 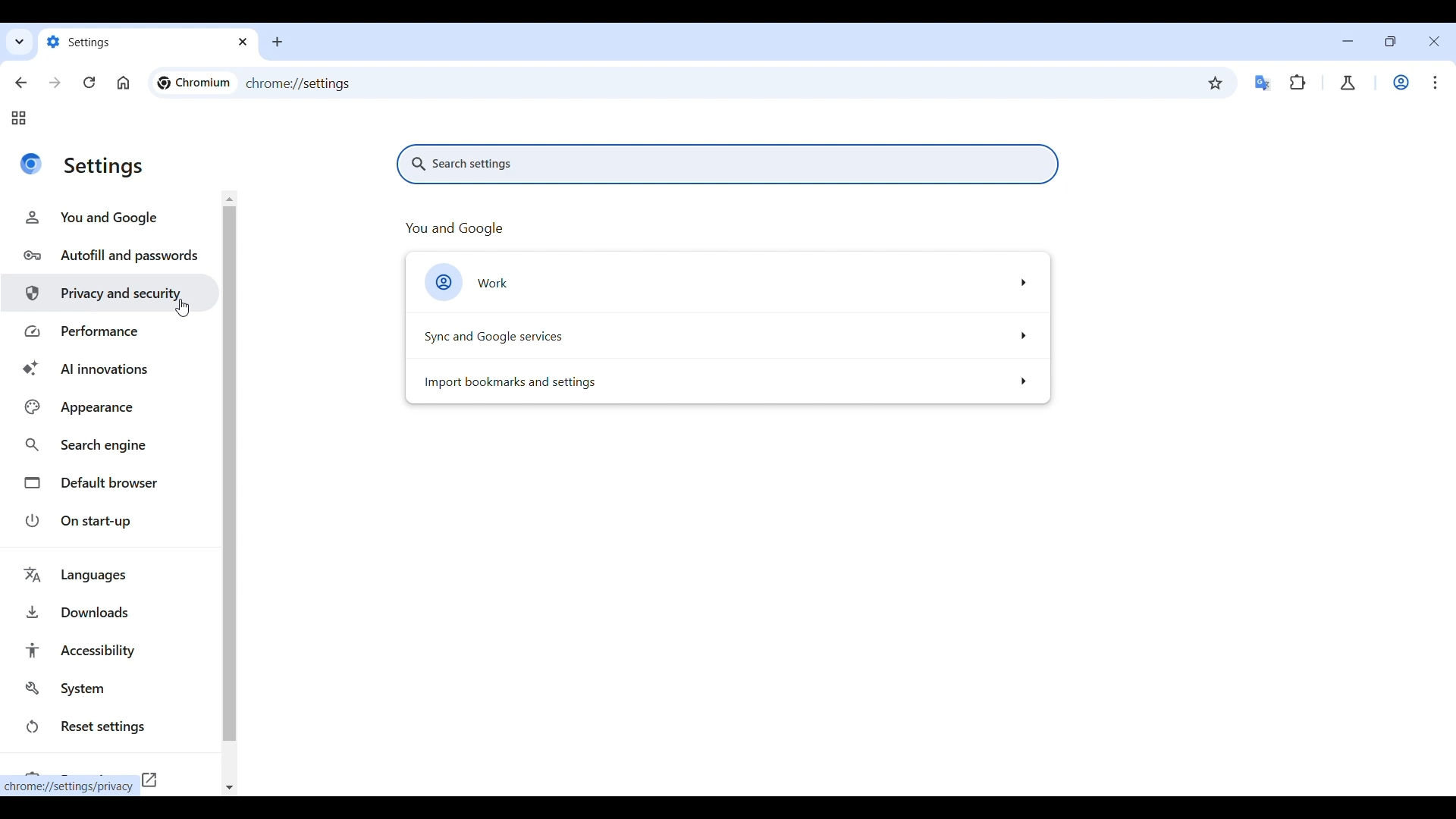 I want to click on Google translator extension, so click(x=1263, y=83).